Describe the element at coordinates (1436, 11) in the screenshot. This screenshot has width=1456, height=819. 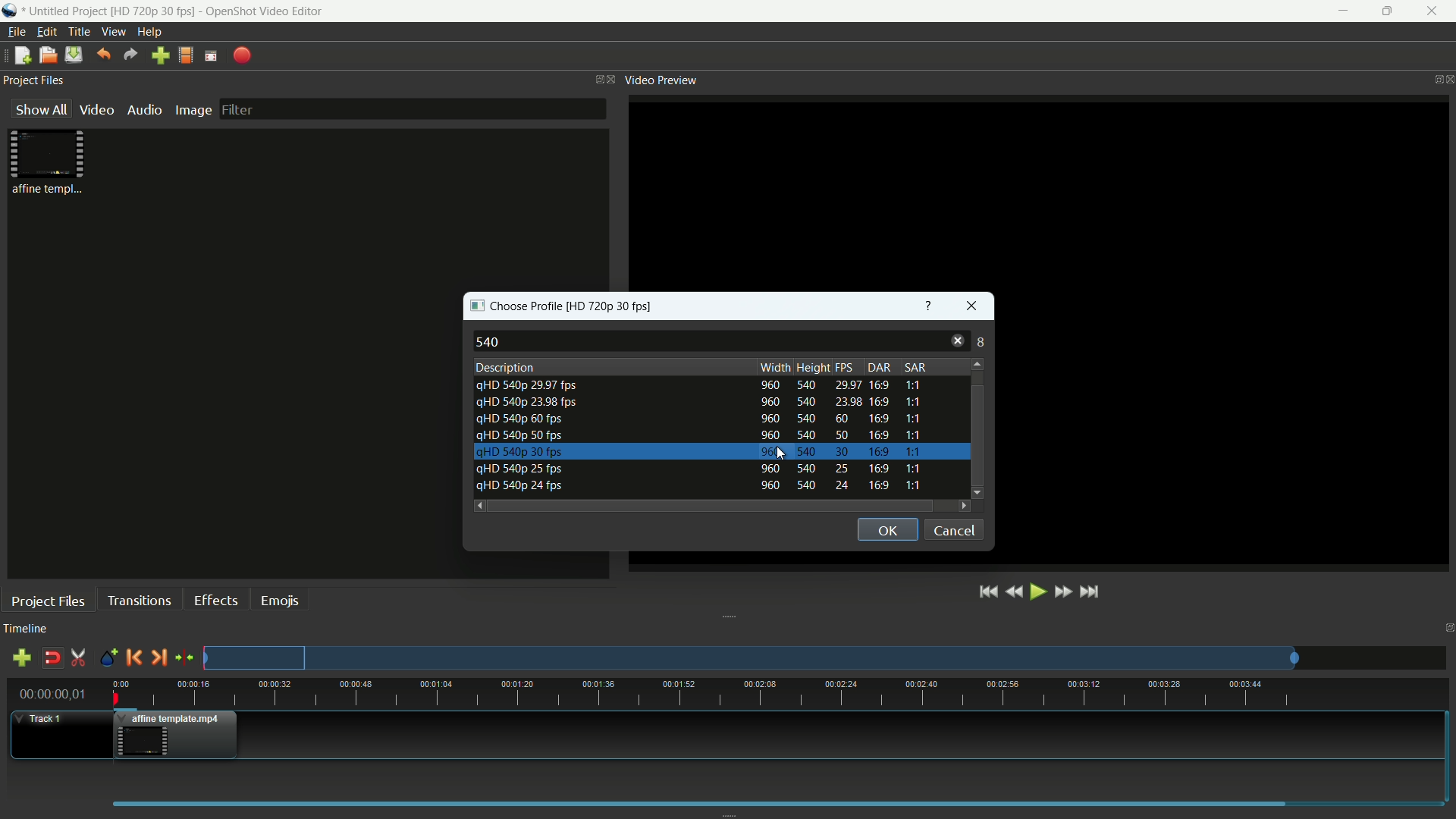
I see `close app` at that location.